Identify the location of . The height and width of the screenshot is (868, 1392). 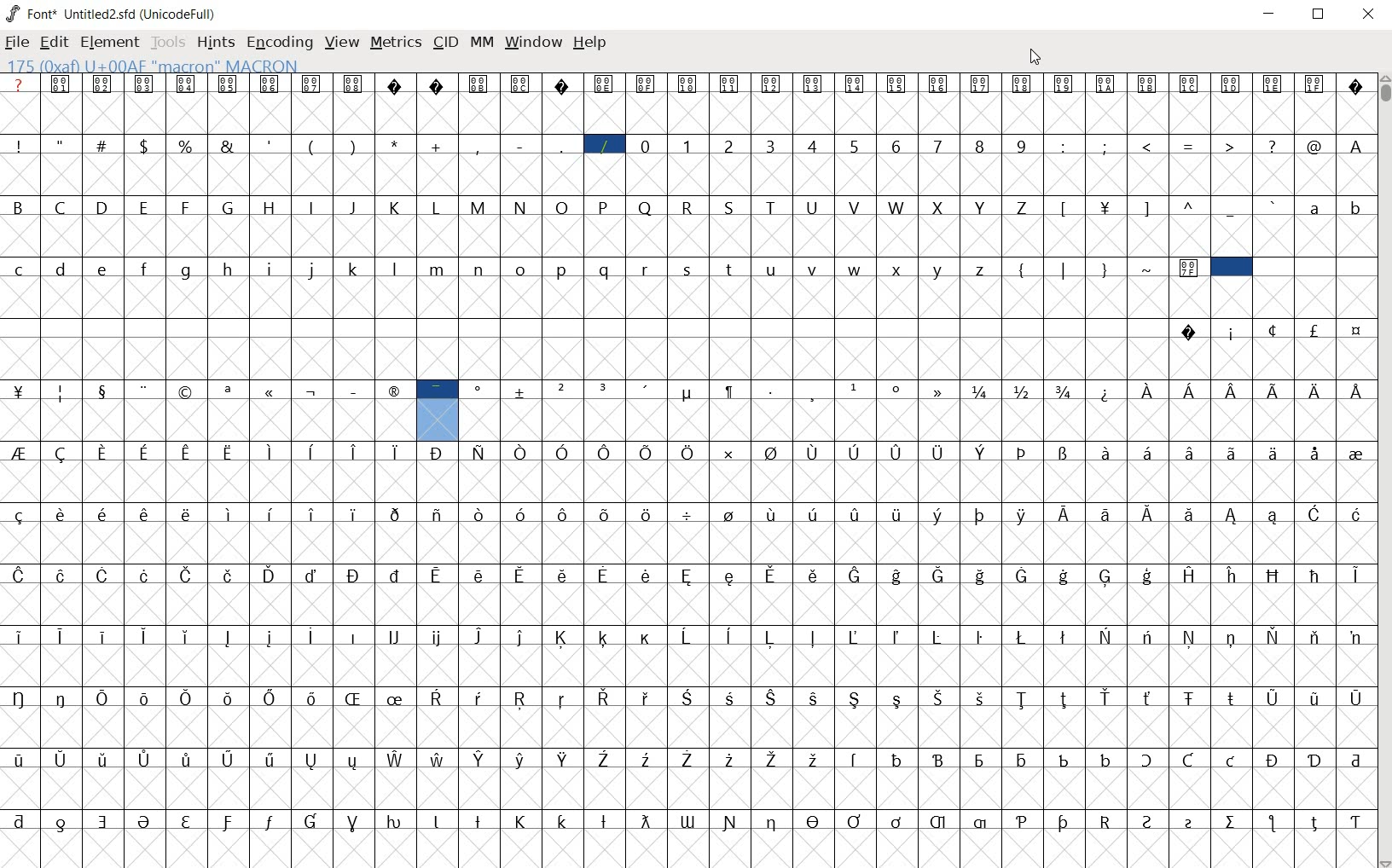
(207, 165).